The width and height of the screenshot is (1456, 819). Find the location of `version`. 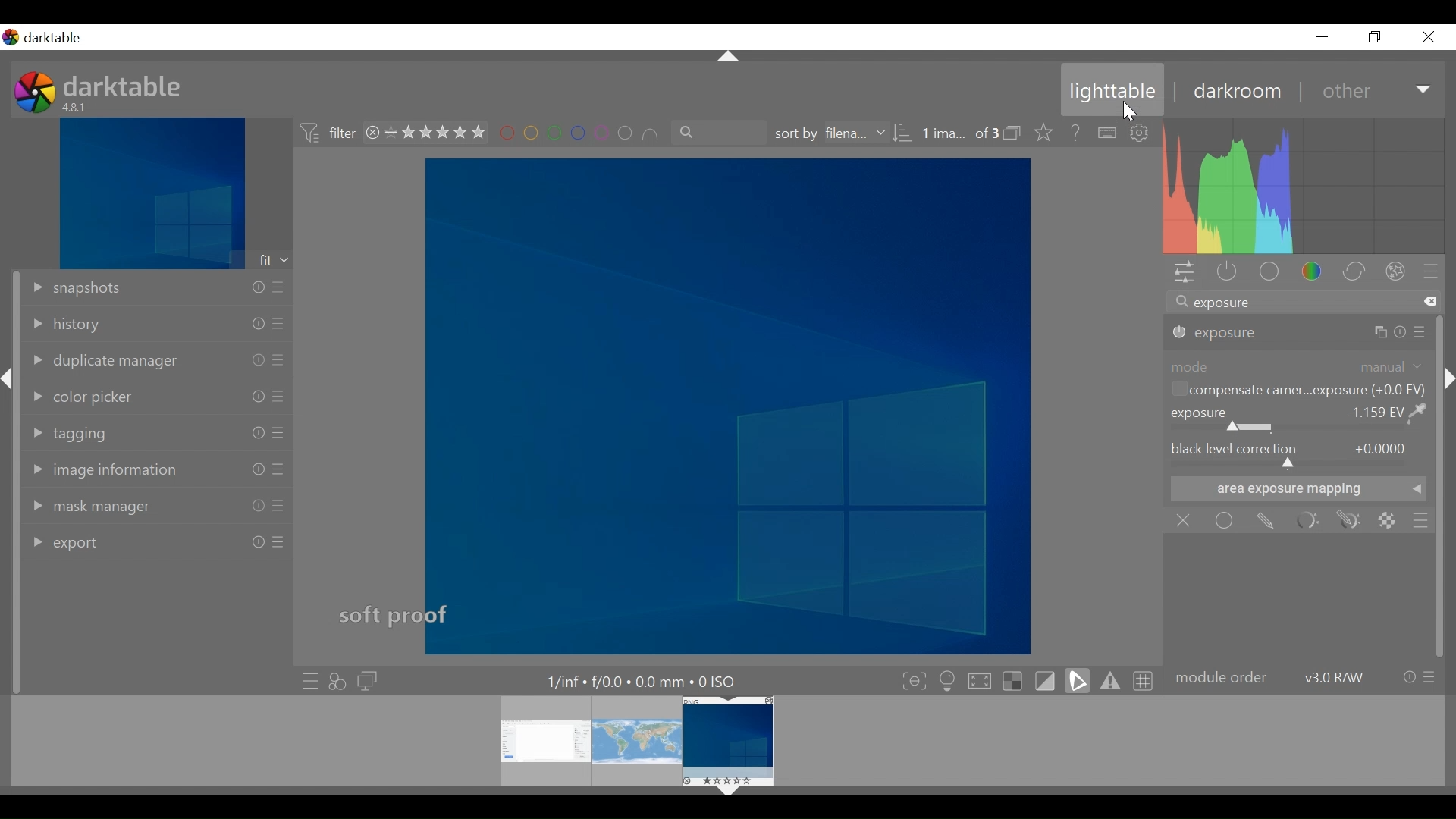

version is located at coordinates (1335, 677).